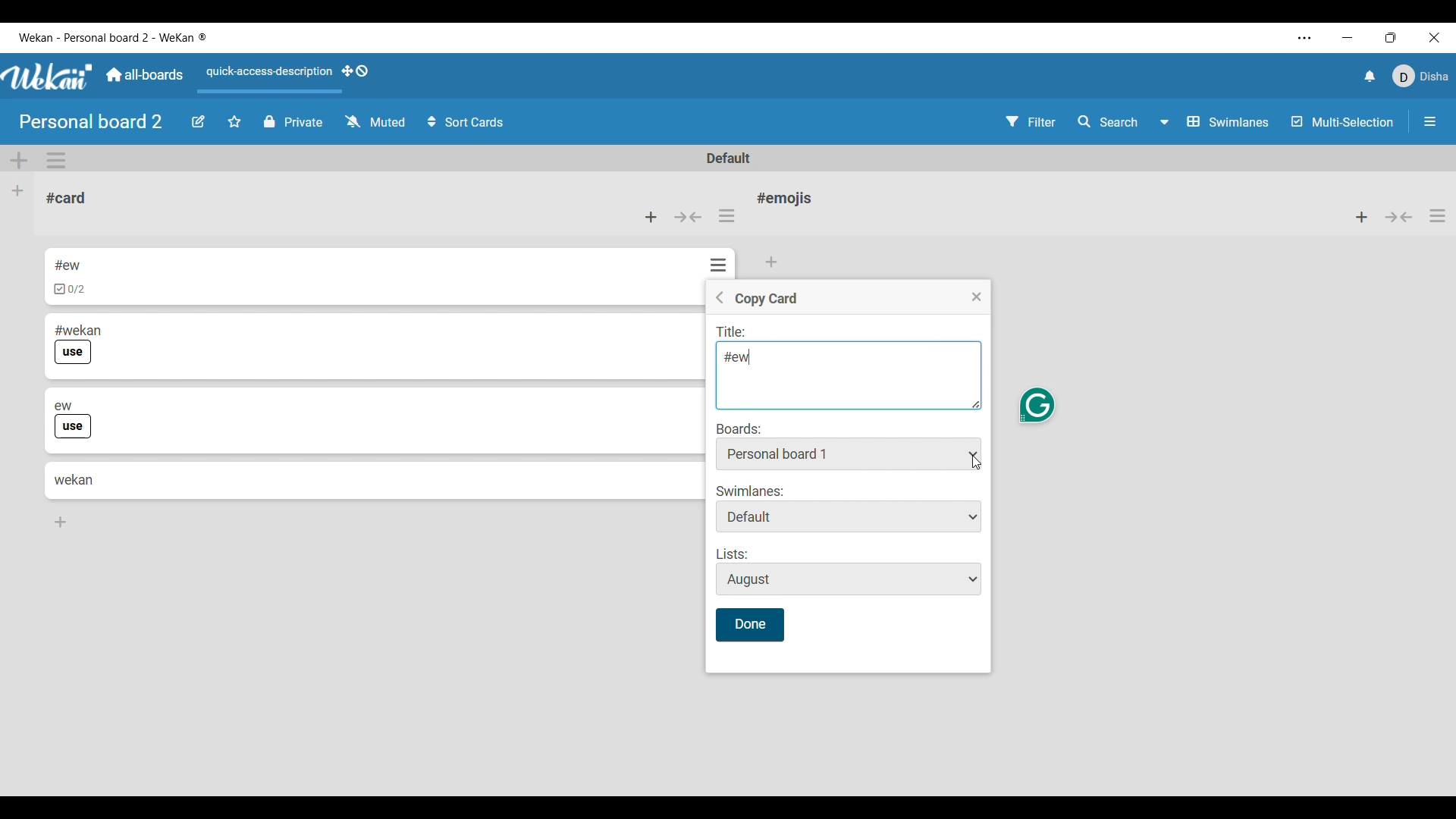  What do you see at coordinates (167, 399) in the screenshot?
I see `Card 3` at bounding box center [167, 399].